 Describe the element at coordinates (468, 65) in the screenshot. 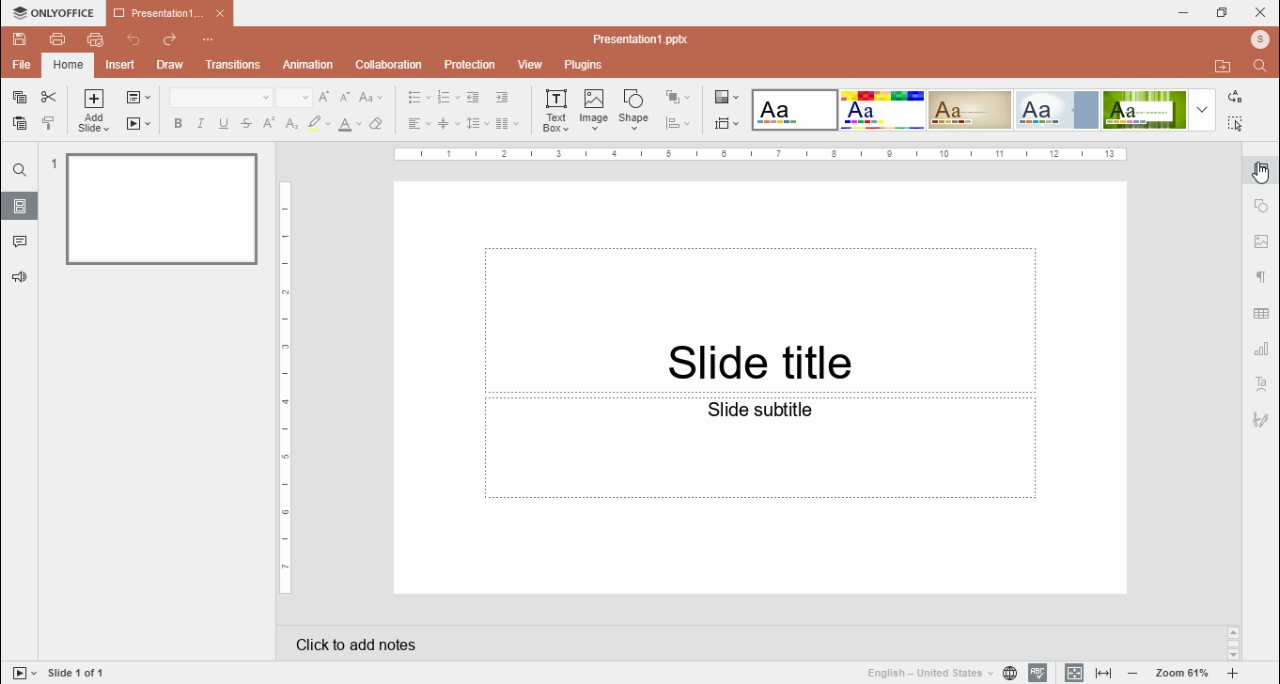

I see `protection` at that location.